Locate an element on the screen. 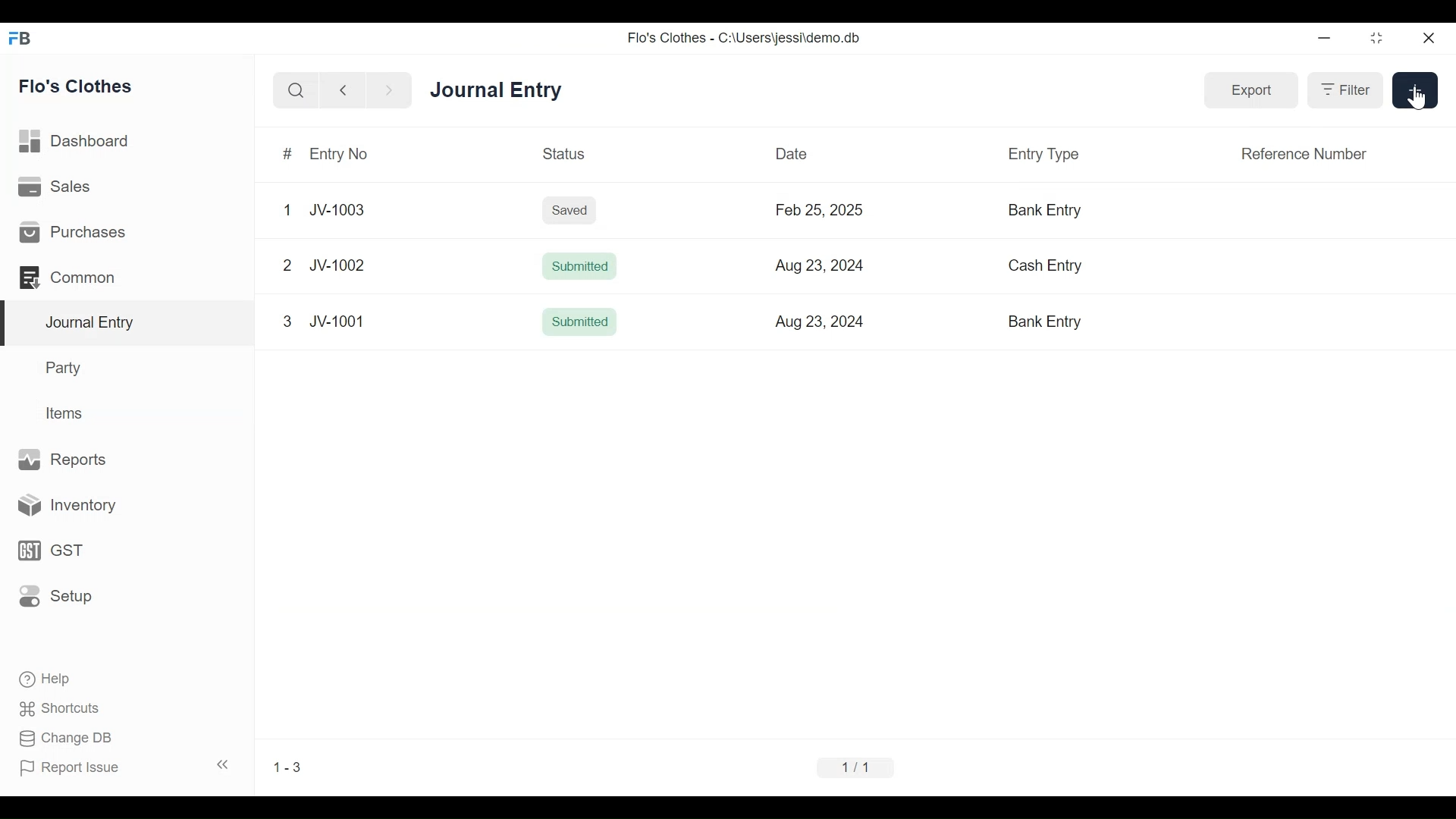 This screenshot has width=1456, height=819. Party is located at coordinates (66, 367).